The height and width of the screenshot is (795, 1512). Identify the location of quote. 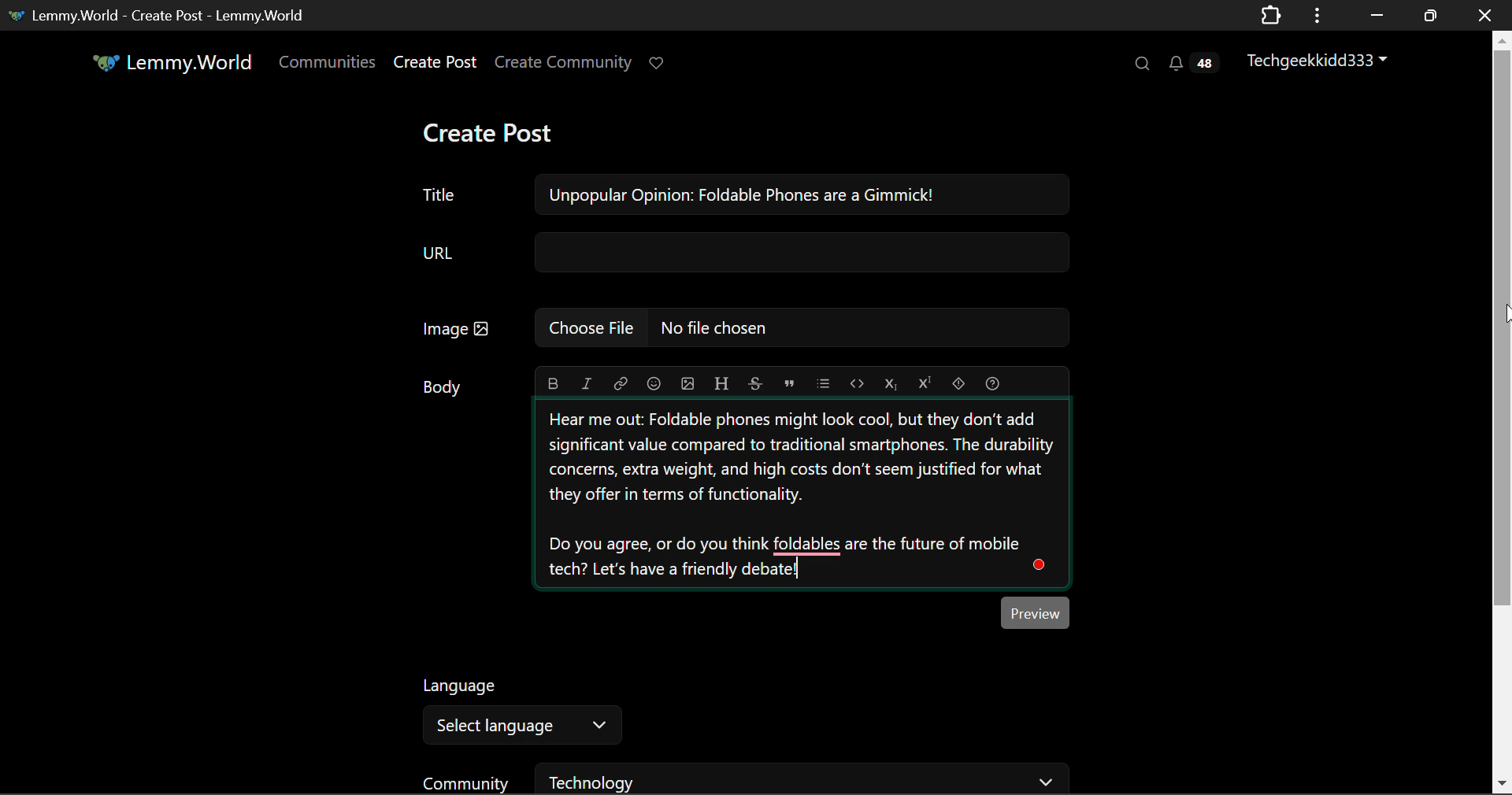
(790, 382).